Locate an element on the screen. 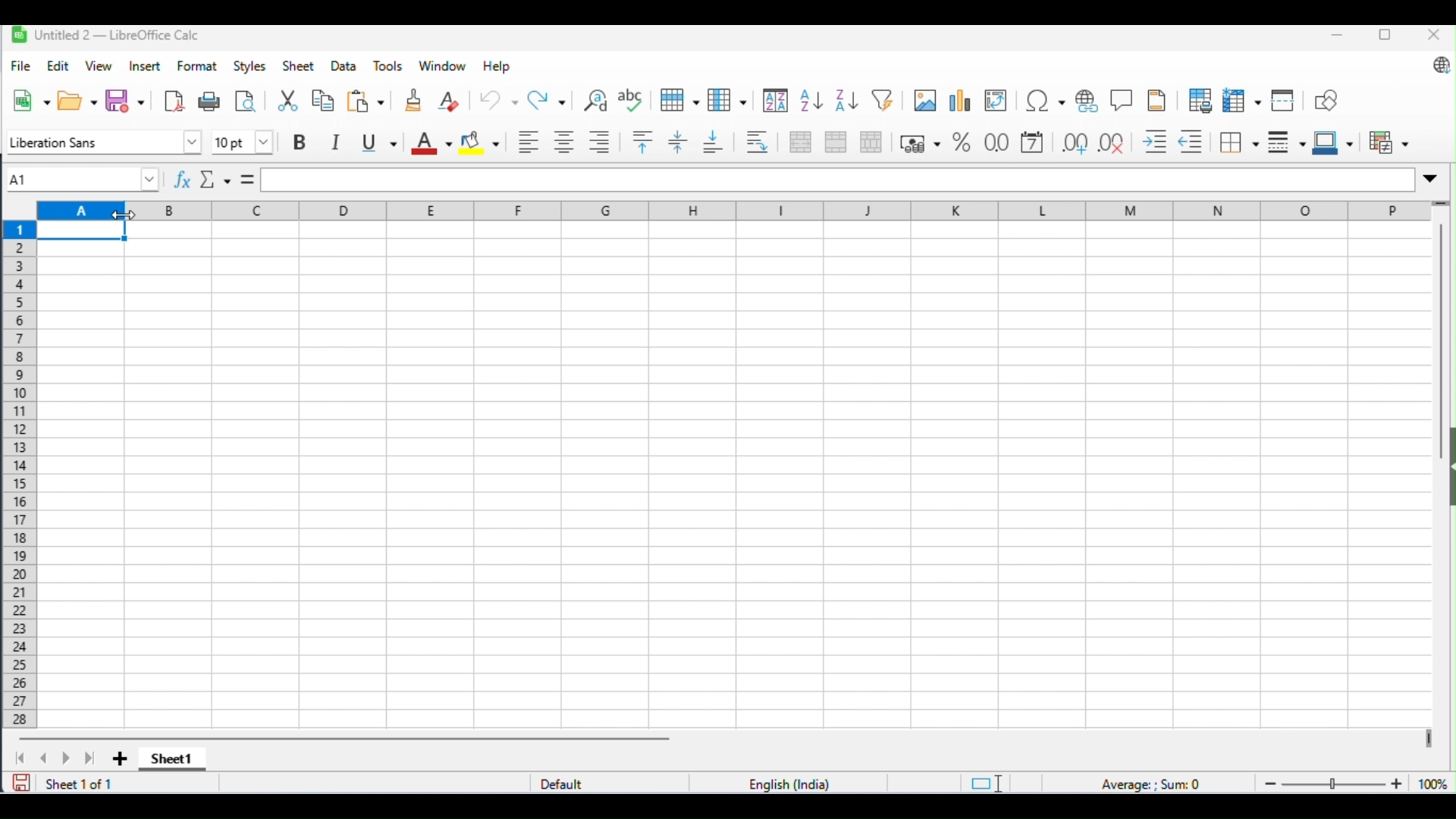 Image resolution: width=1456 pixels, height=819 pixels. border color is located at coordinates (1333, 140).